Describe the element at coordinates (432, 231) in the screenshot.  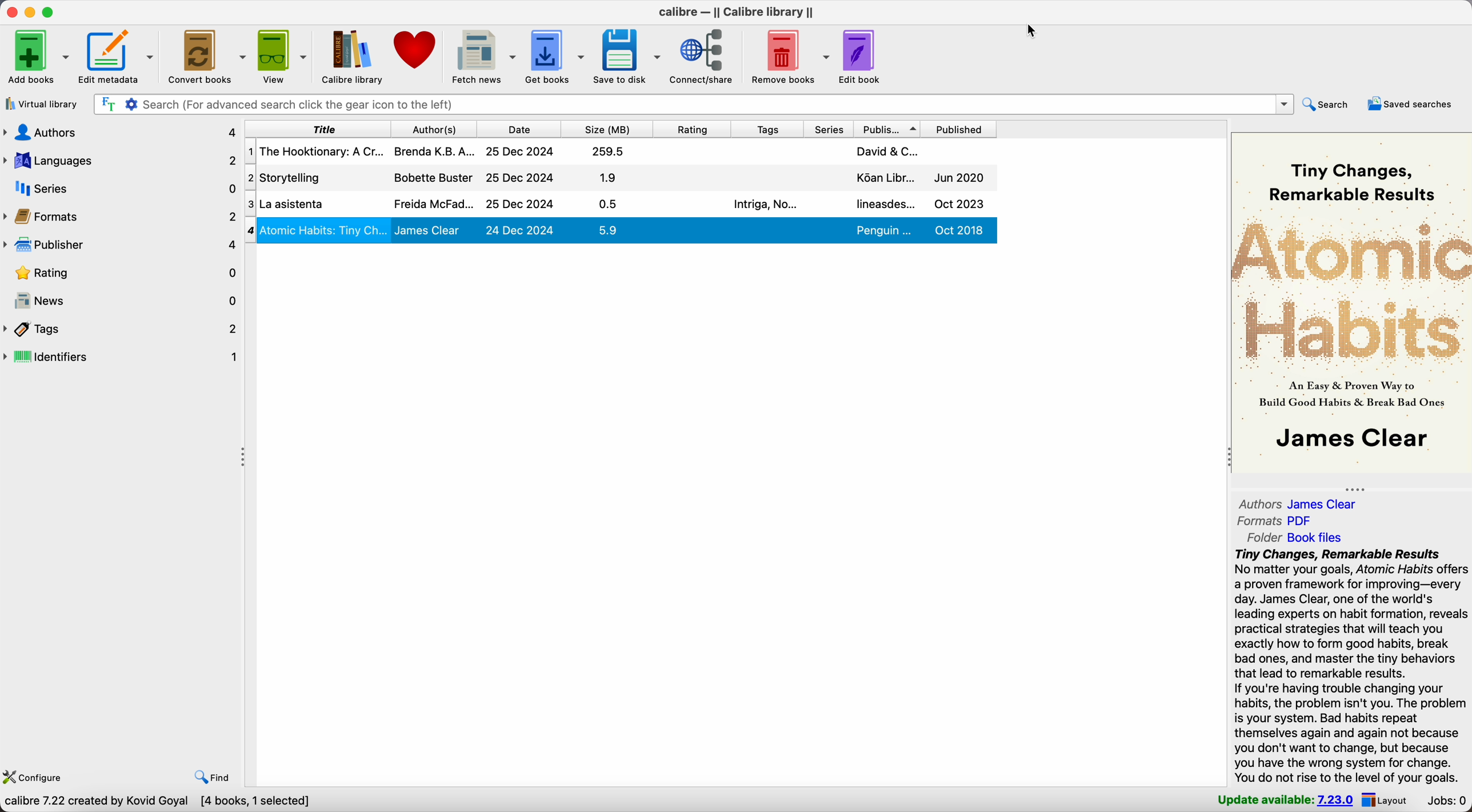
I see `james clear` at that location.